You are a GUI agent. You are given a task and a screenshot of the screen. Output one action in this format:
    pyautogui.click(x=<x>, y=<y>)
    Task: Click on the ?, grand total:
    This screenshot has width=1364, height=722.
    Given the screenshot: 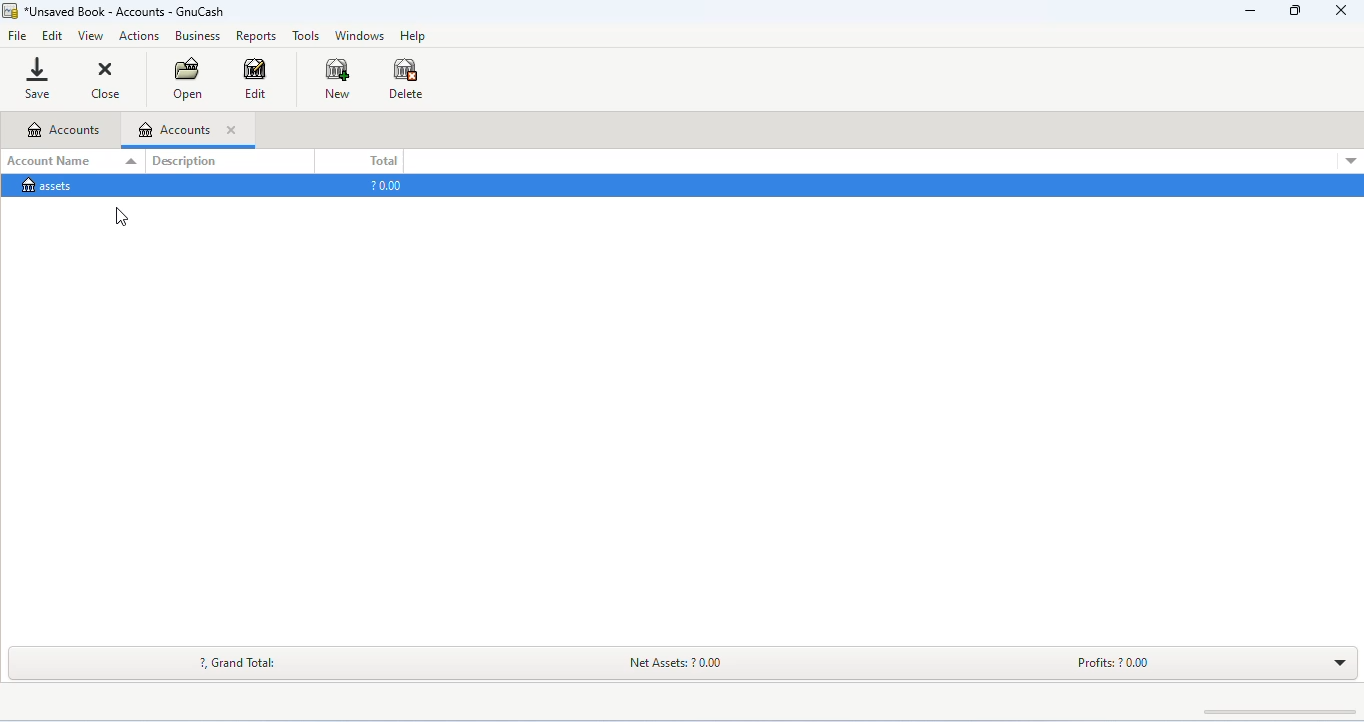 What is the action you would take?
    pyautogui.click(x=242, y=664)
    